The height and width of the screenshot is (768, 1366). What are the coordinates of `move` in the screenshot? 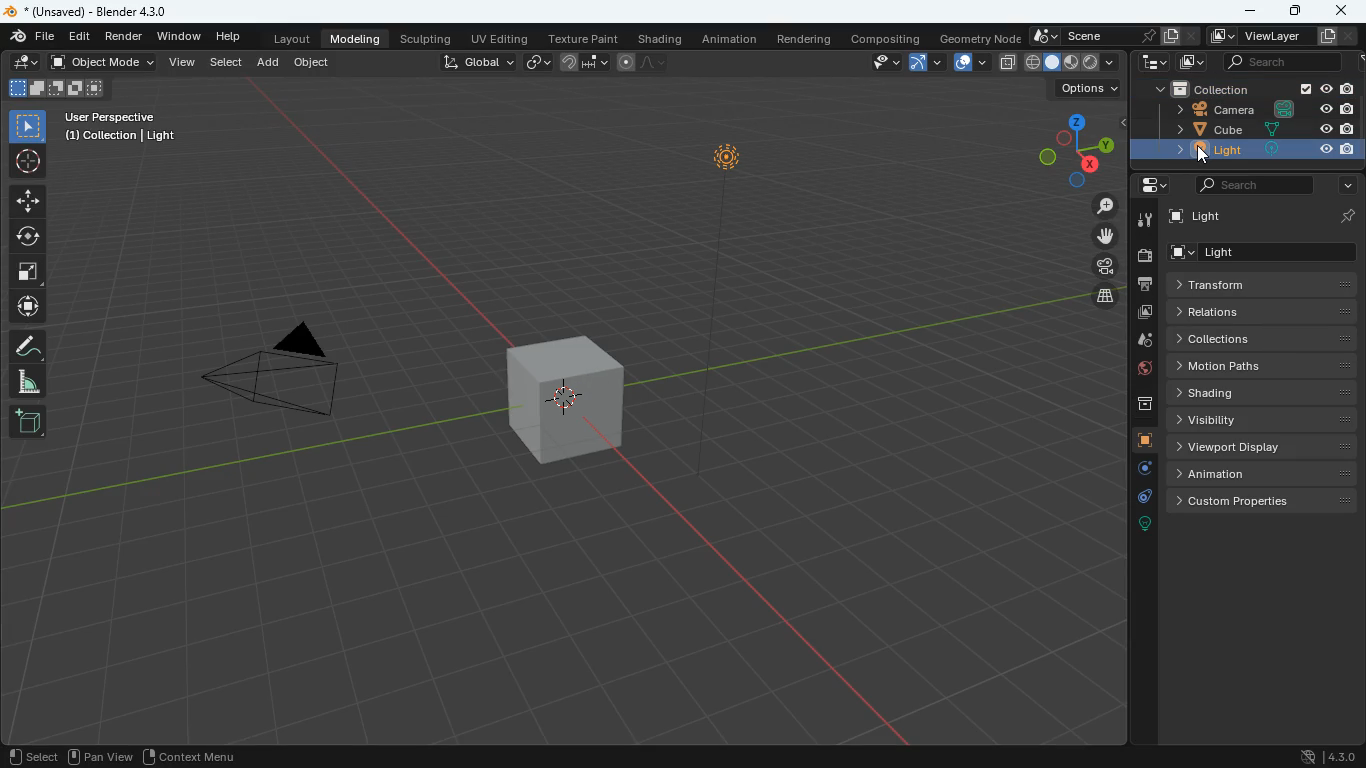 It's located at (26, 200).